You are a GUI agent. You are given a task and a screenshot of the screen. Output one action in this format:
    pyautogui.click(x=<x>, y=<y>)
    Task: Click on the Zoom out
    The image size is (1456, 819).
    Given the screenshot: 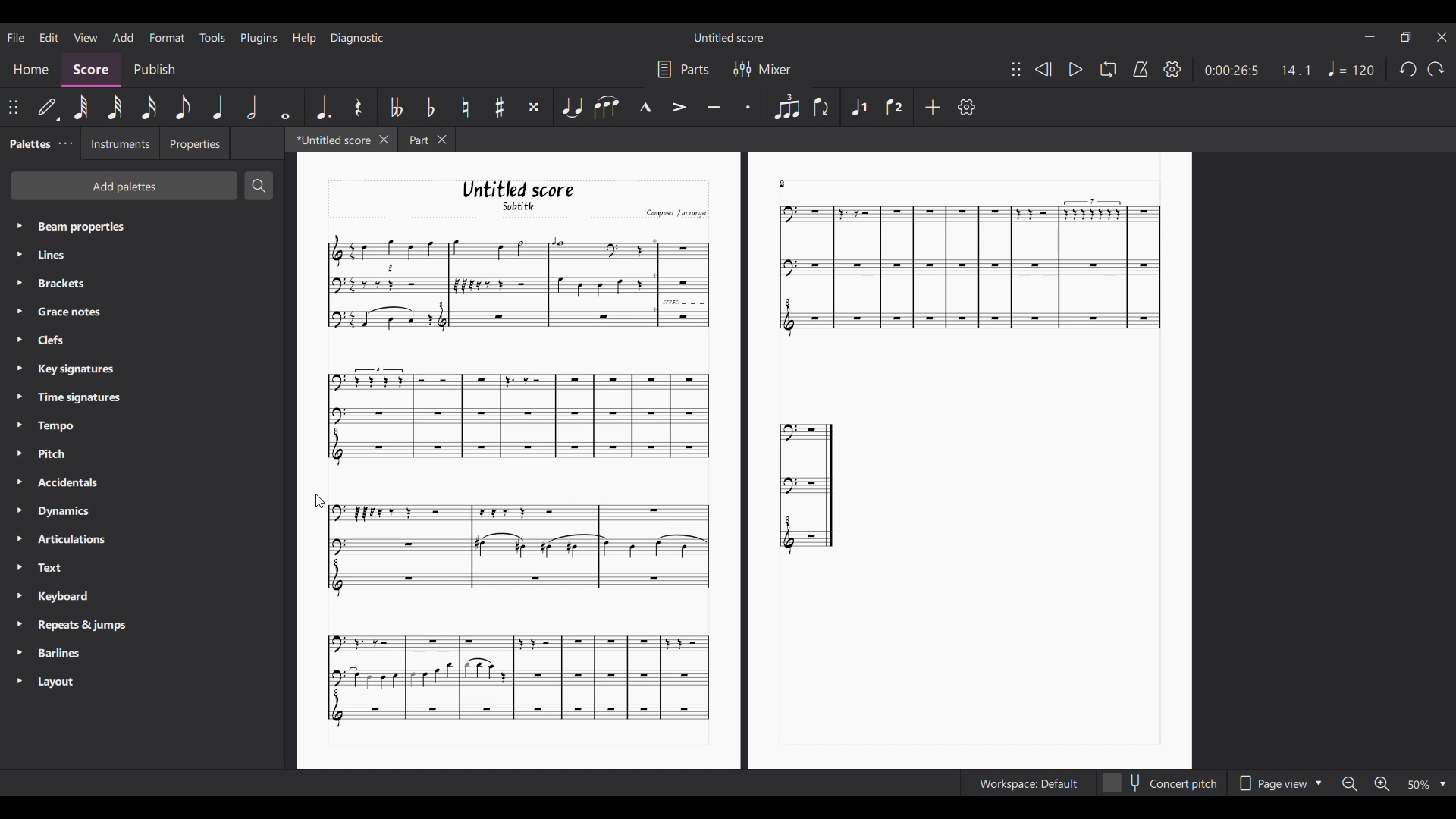 What is the action you would take?
    pyautogui.click(x=1348, y=783)
    